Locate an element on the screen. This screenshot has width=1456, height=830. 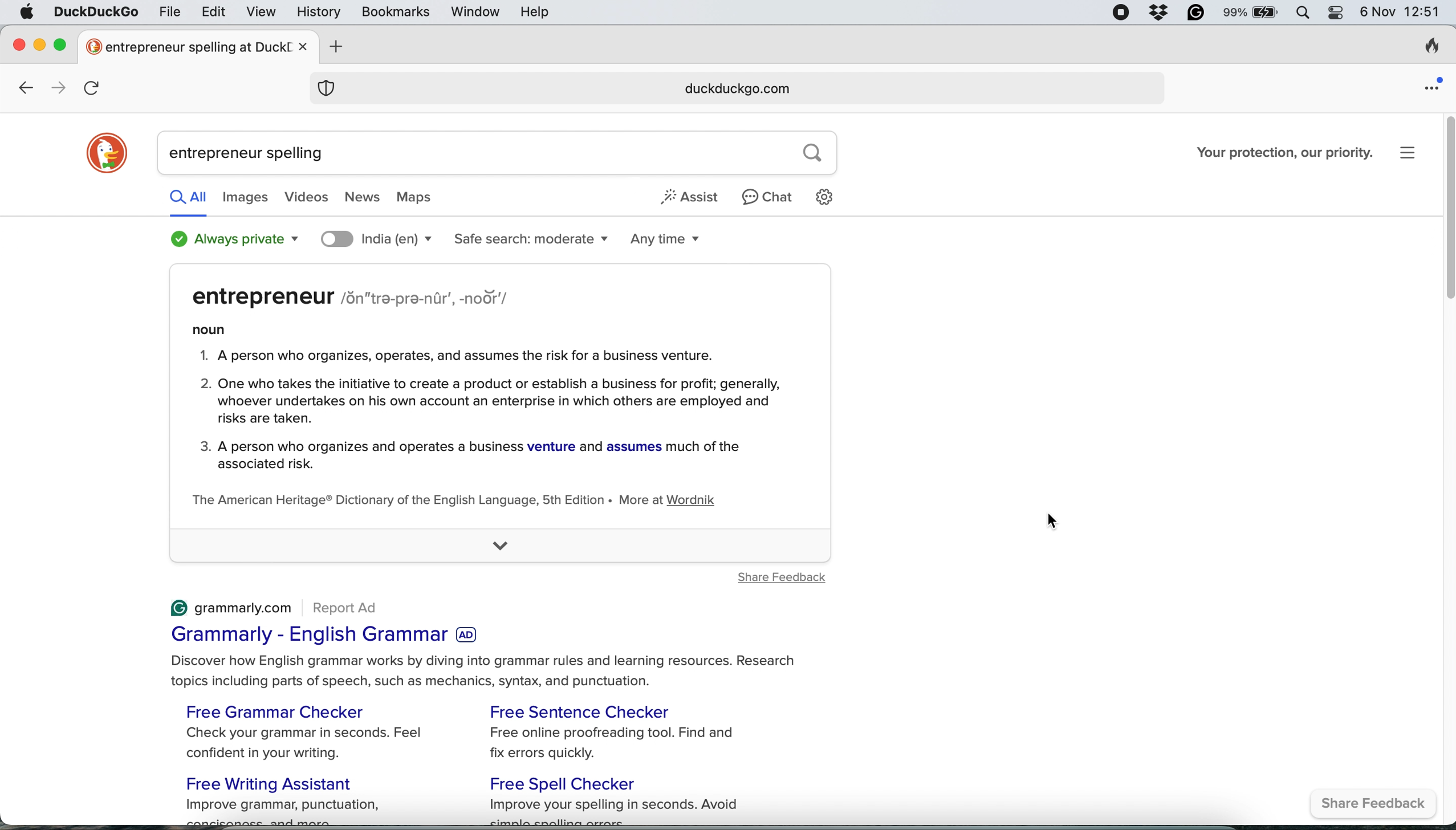
go back is located at coordinates (30, 89).